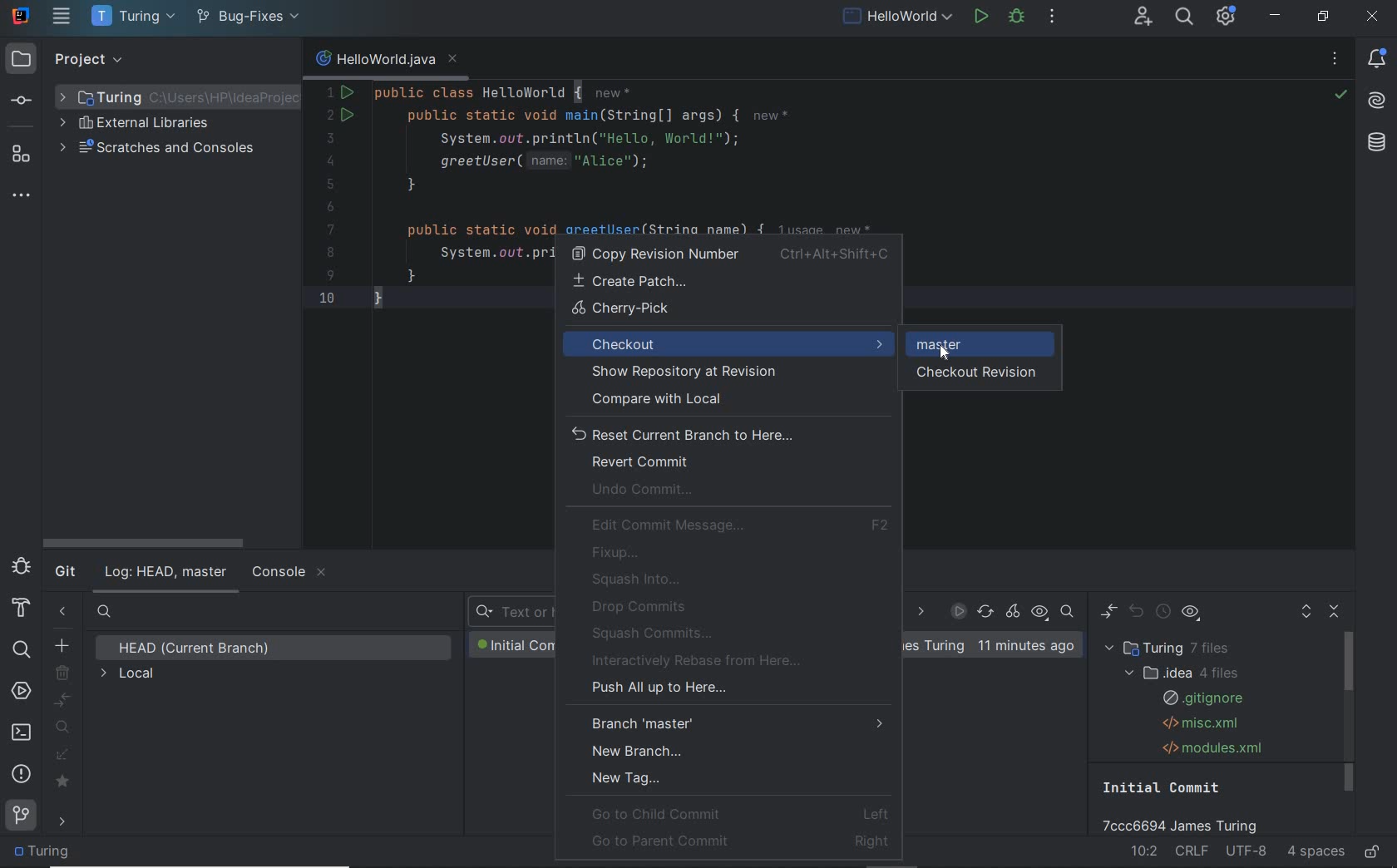 The image size is (1397, 868). I want to click on 1, so click(329, 92).